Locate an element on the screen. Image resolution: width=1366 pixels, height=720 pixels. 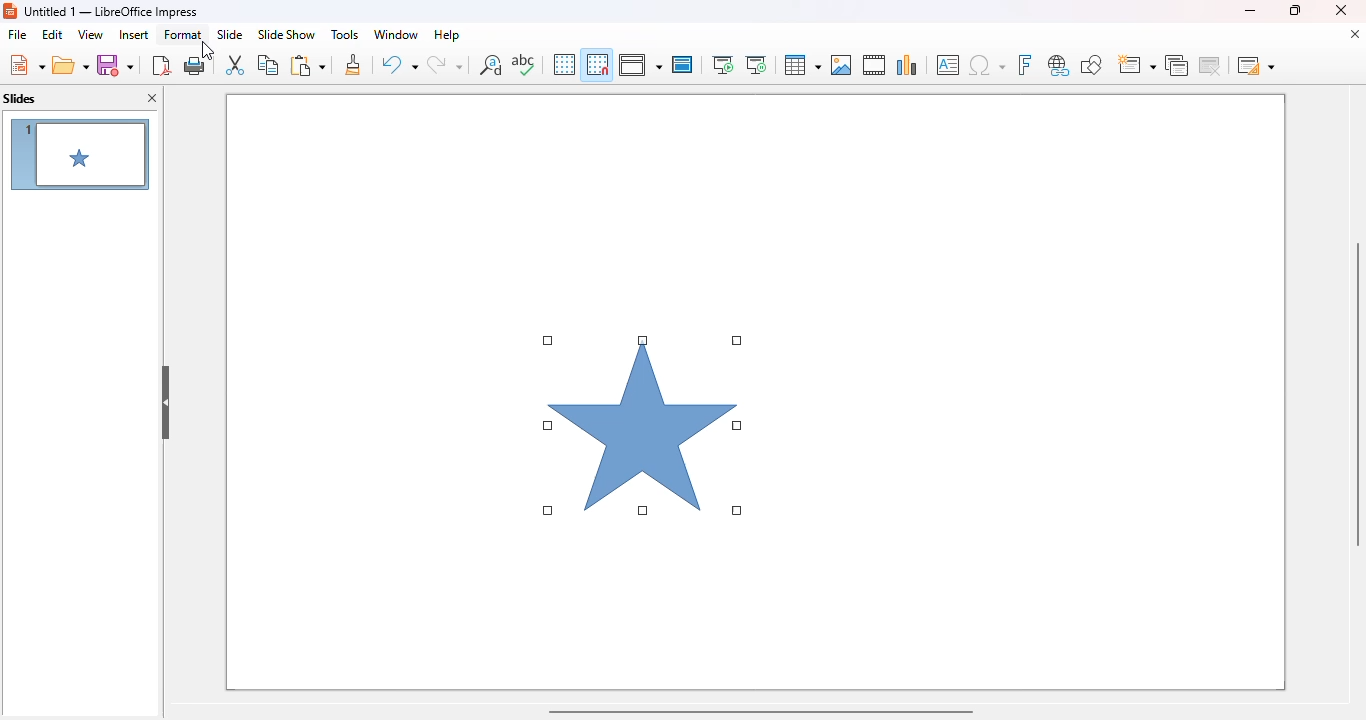
format is located at coordinates (183, 34).